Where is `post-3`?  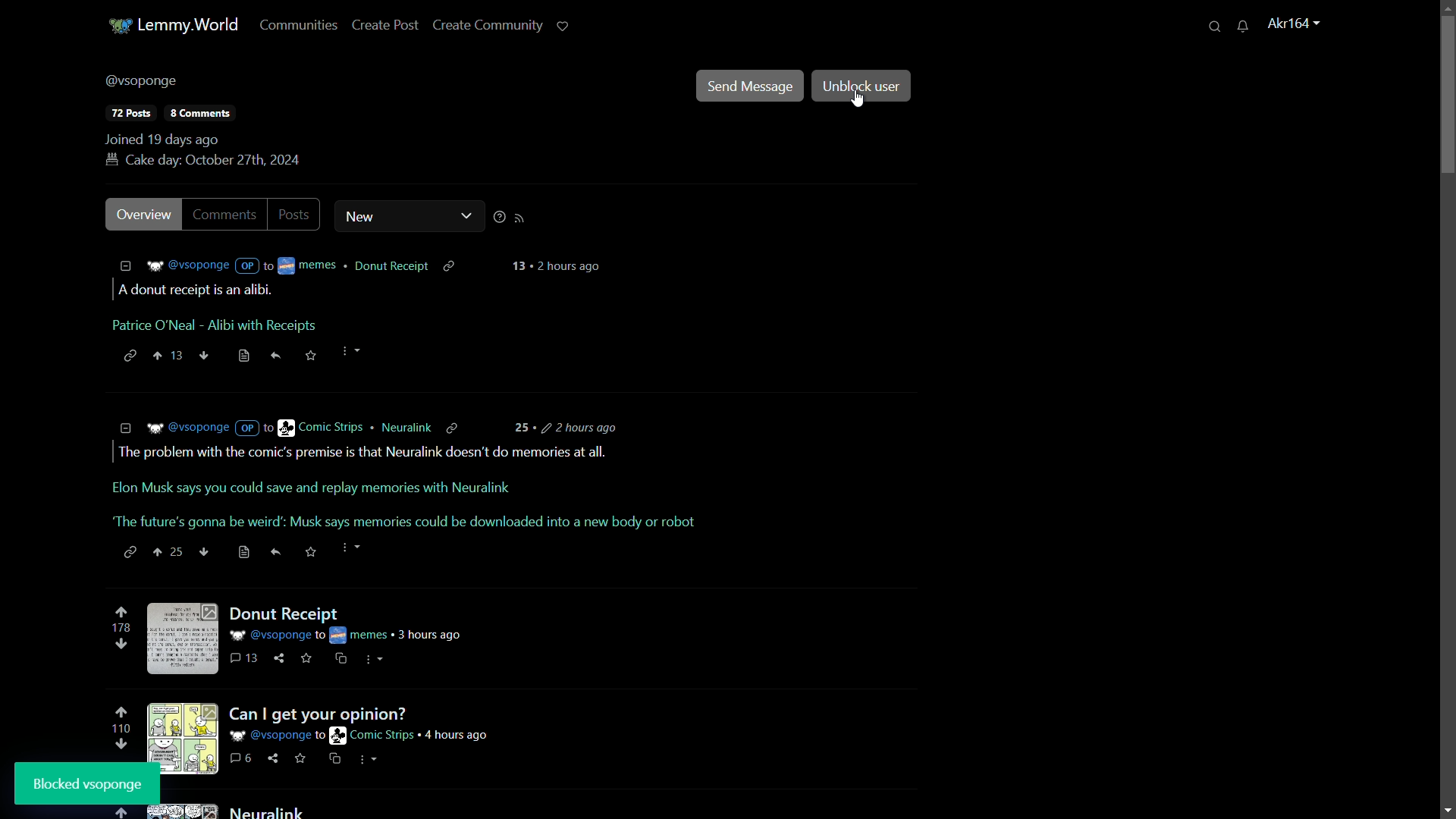
post-3 is located at coordinates (269, 810).